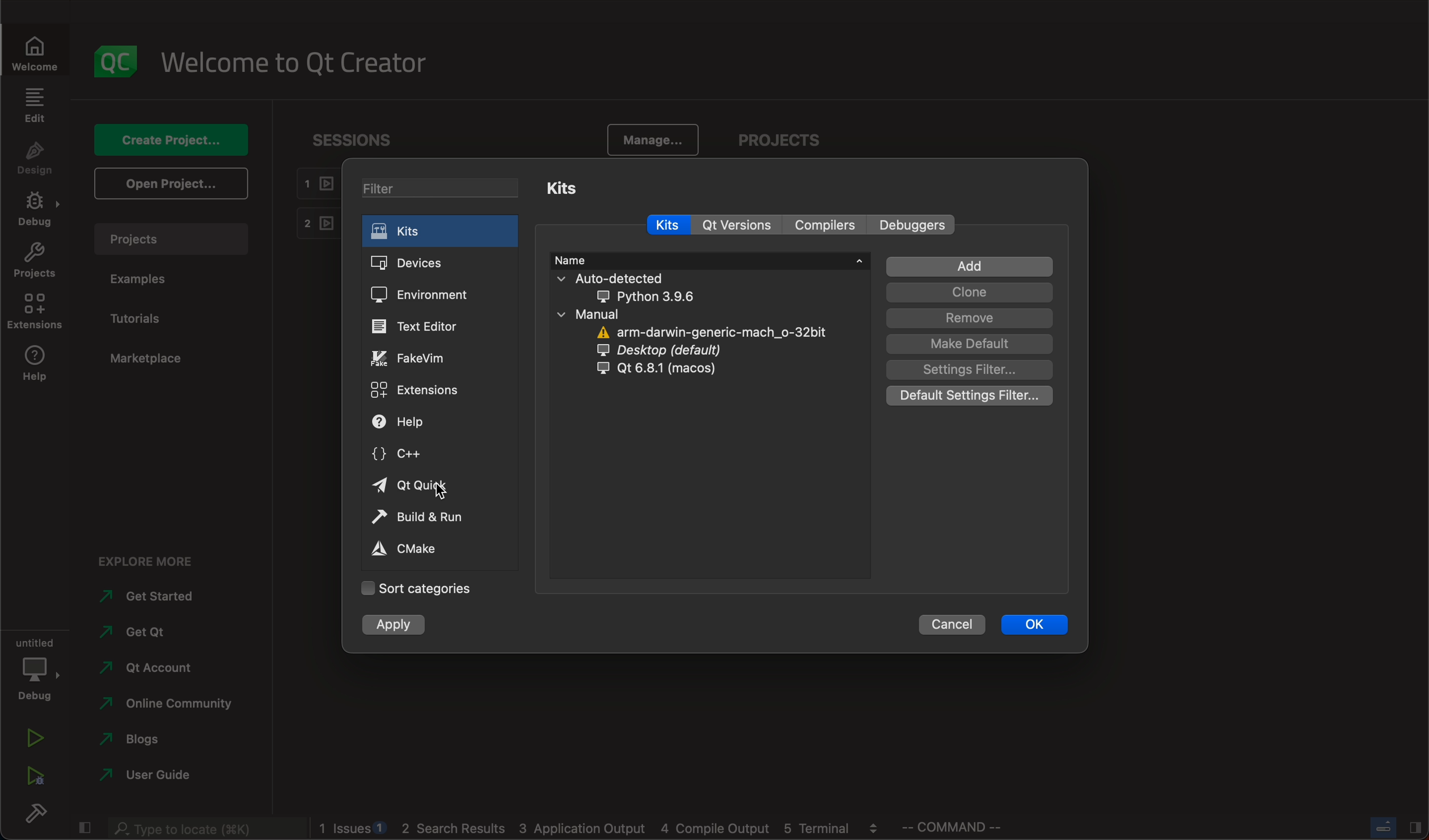 Image resolution: width=1429 pixels, height=840 pixels. Describe the element at coordinates (33, 311) in the screenshot. I see `extensions` at that location.